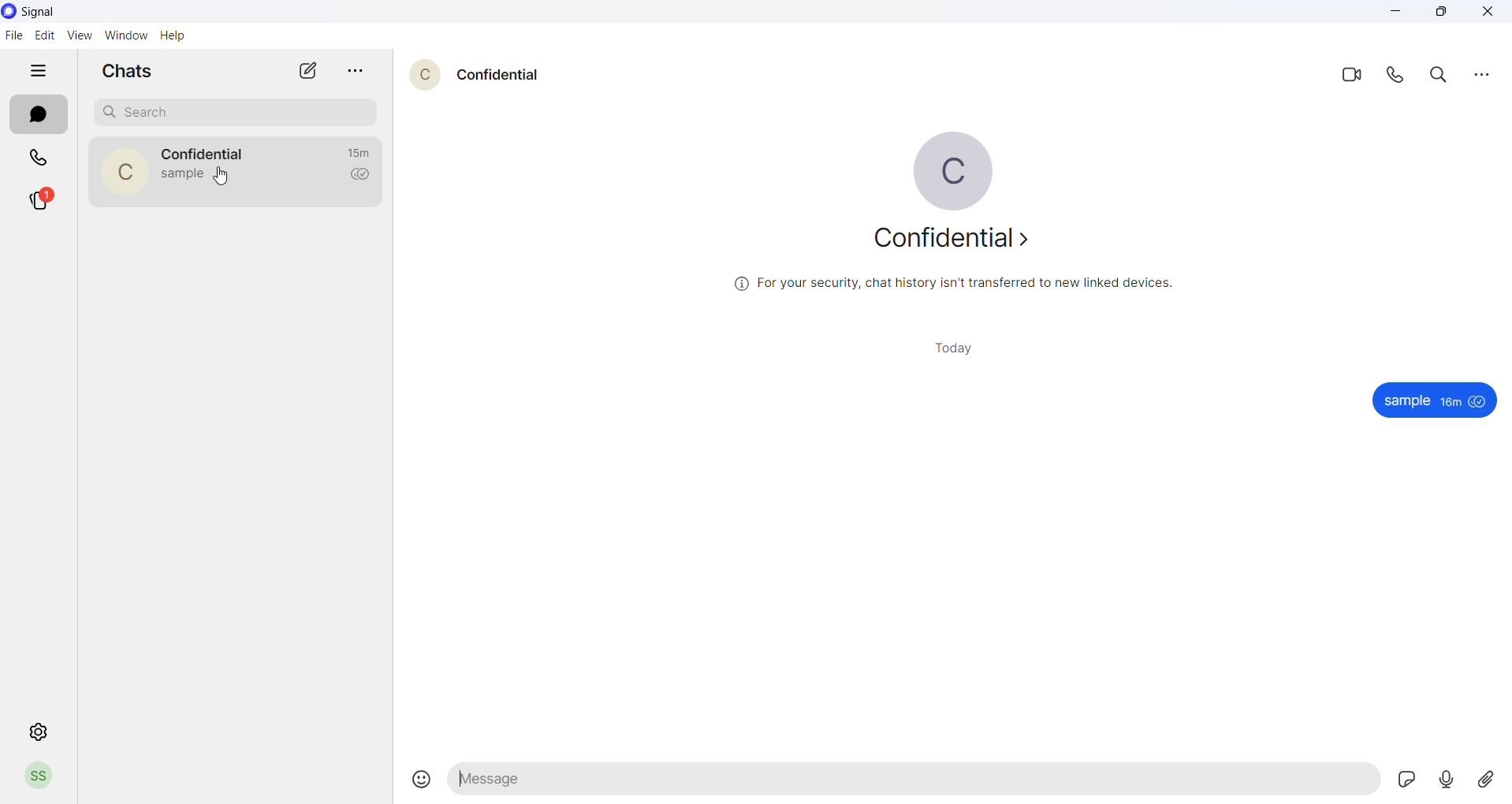 Image resolution: width=1512 pixels, height=804 pixels. What do you see at coordinates (1001, 287) in the screenshot?
I see `For your security, chat history isn't transferred to new linked devices.` at bounding box center [1001, 287].